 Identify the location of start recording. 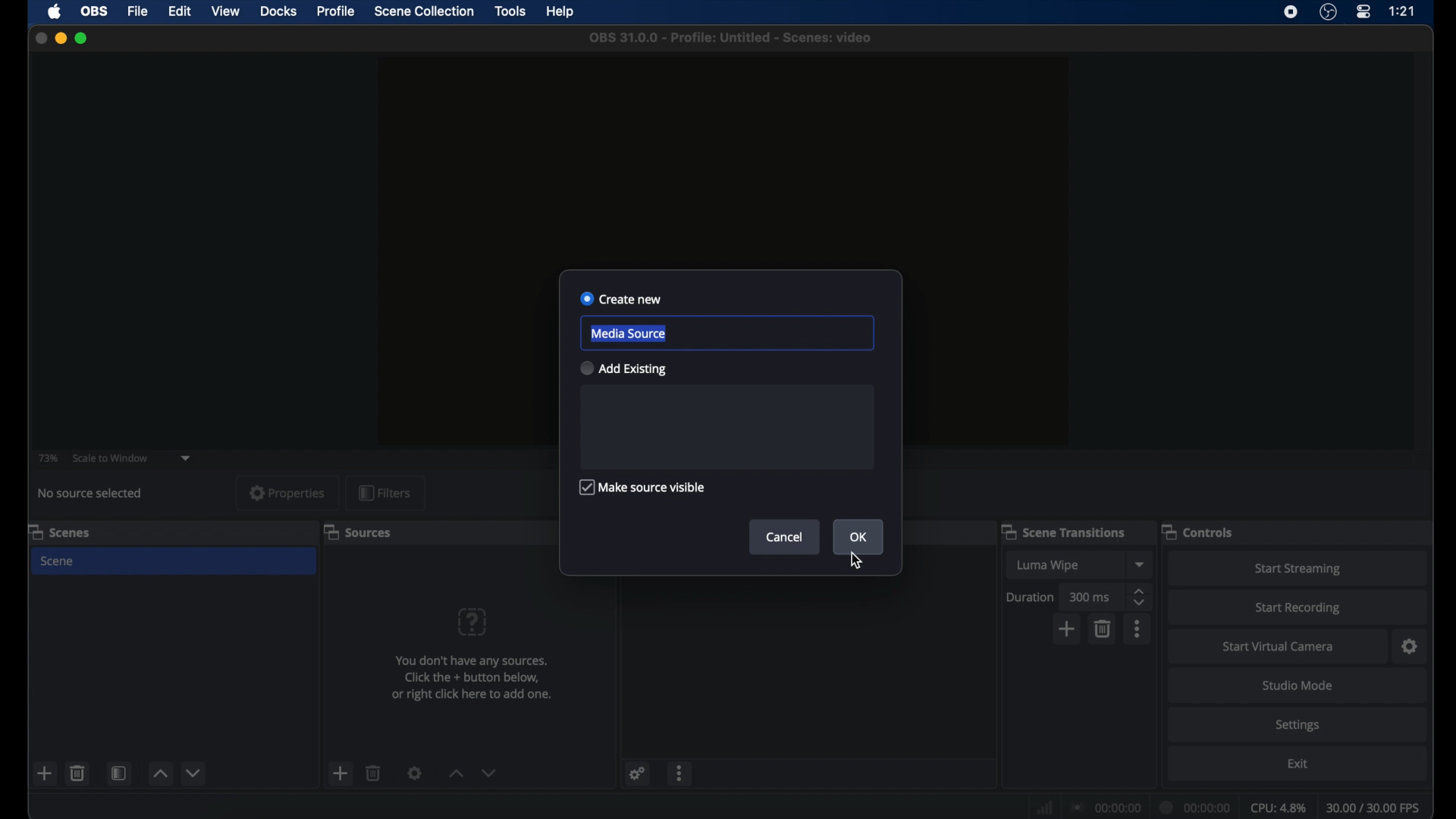
(1300, 607).